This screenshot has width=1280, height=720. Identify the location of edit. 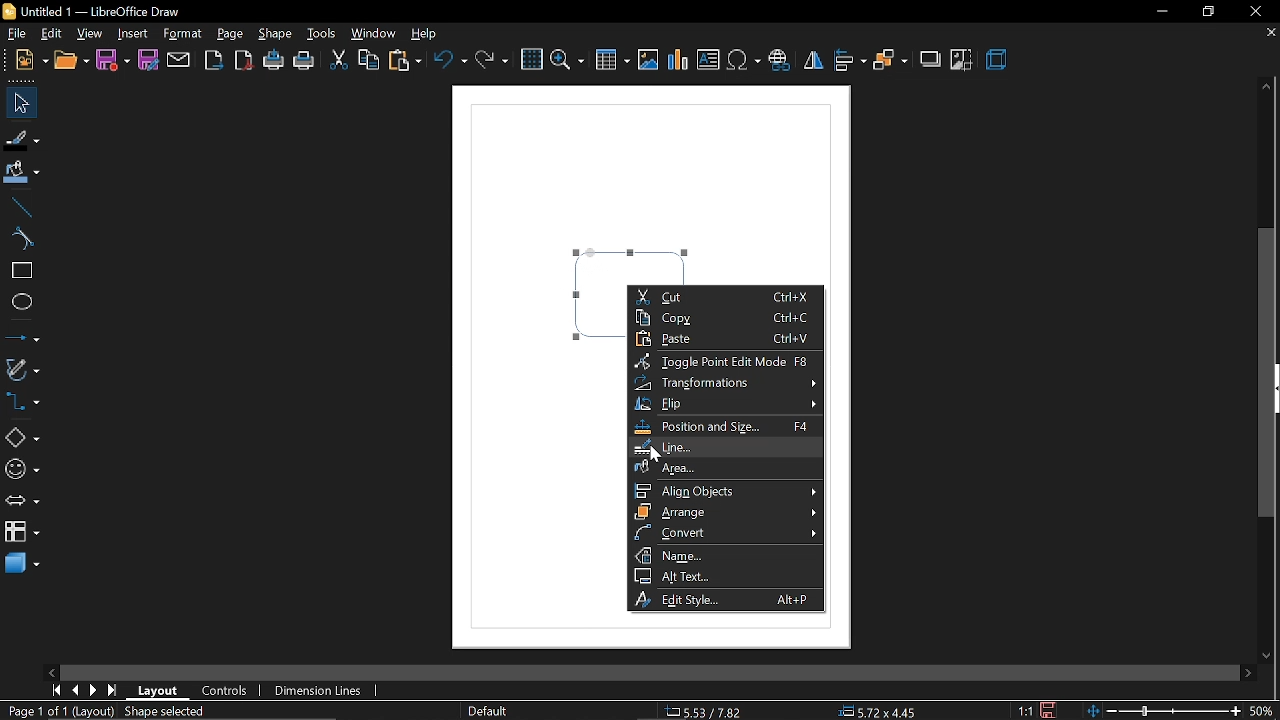
(54, 33).